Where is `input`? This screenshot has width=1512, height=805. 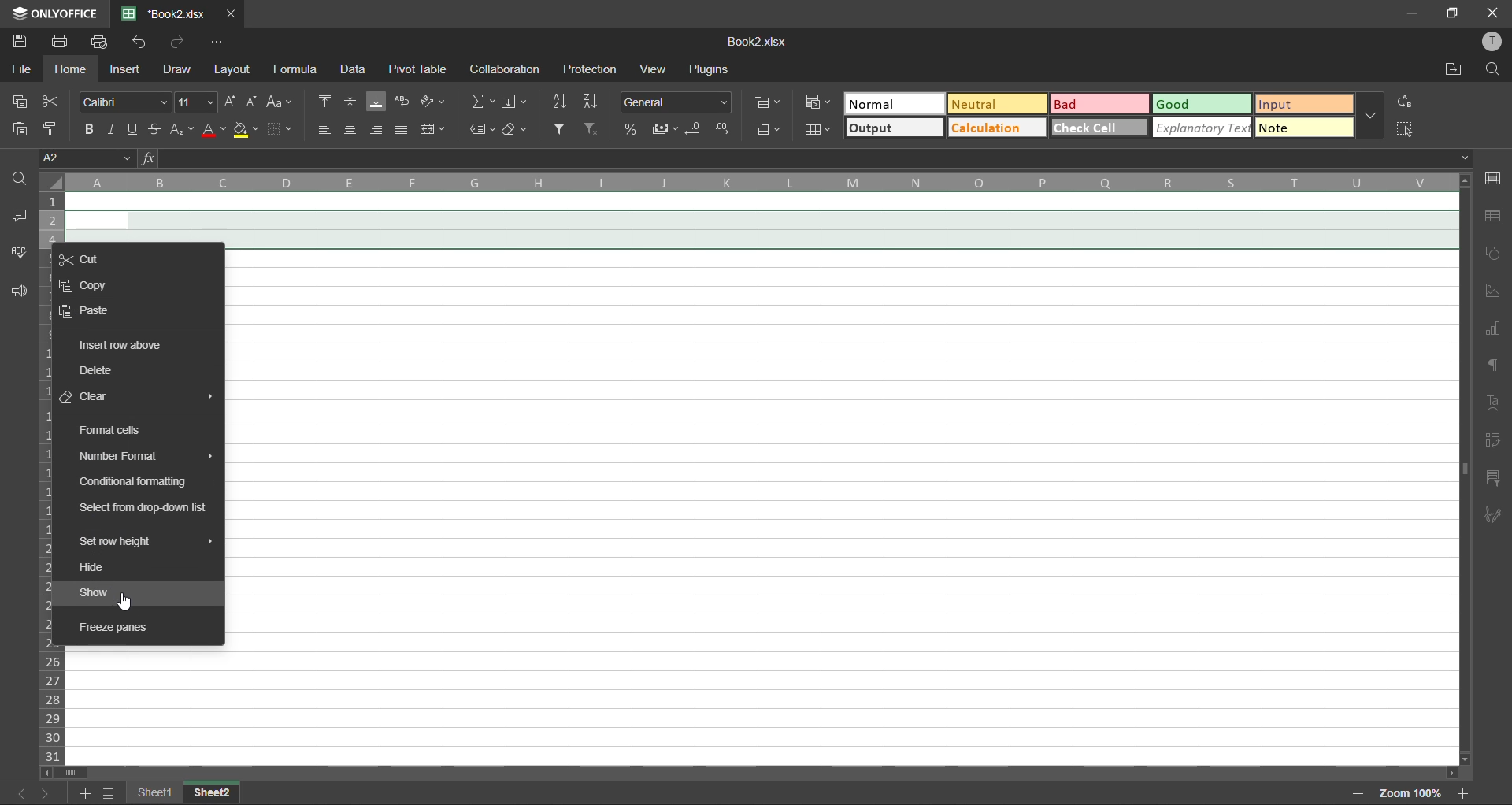 input is located at coordinates (1299, 103).